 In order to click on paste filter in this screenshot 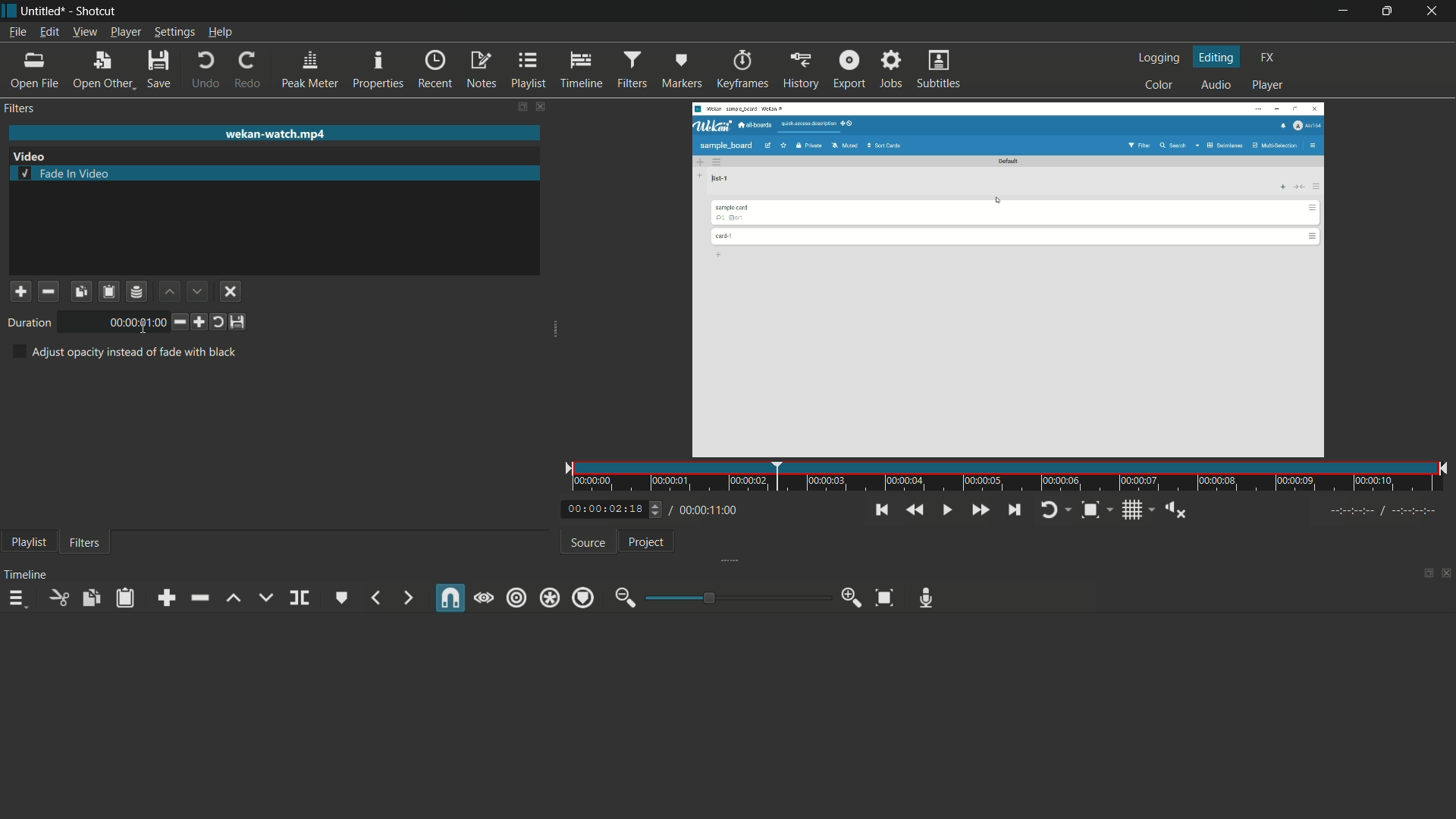, I will do `click(110, 291)`.